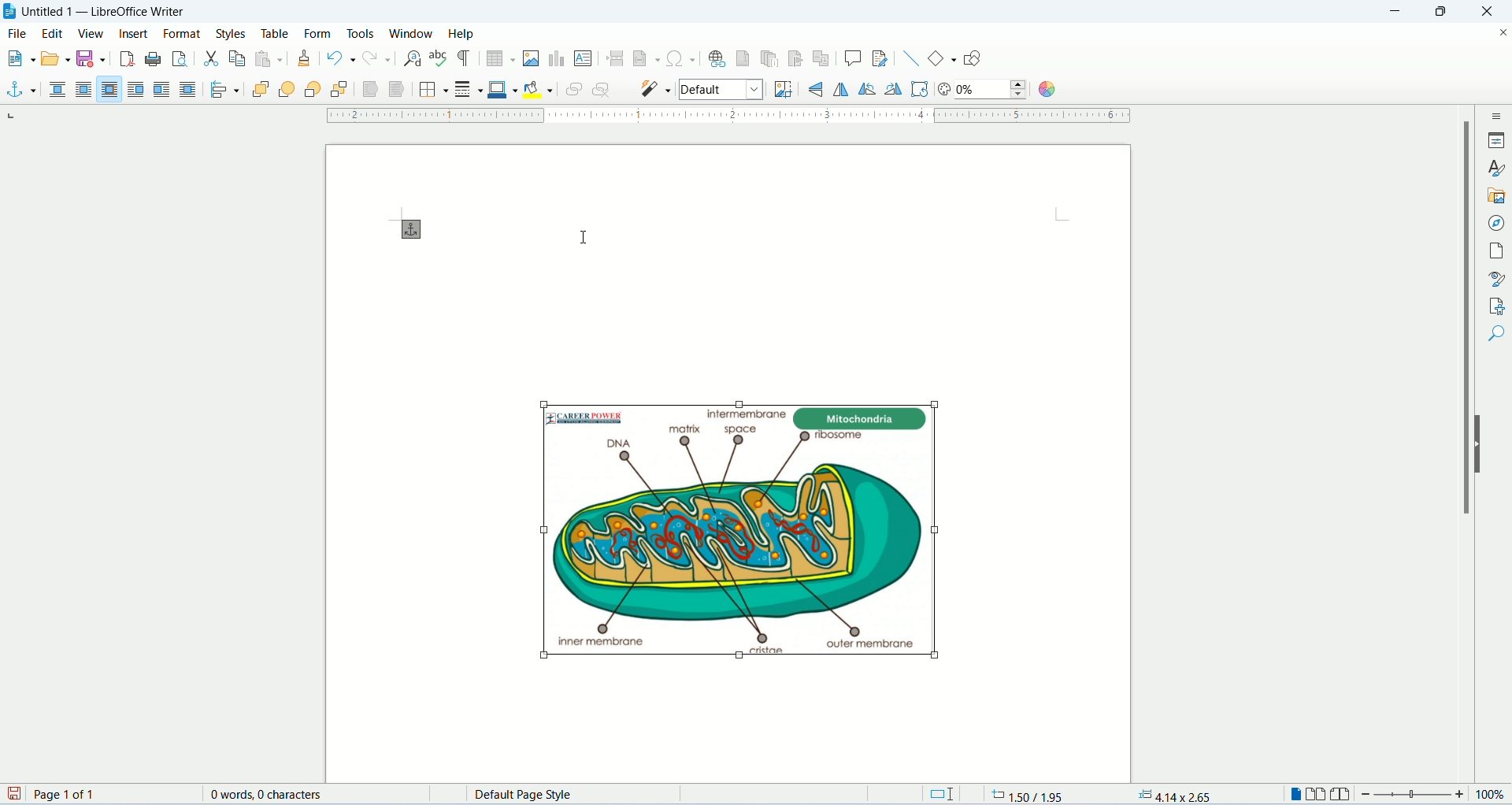 The width and height of the screenshot is (1512, 805). Describe the element at coordinates (1498, 115) in the screenshot. I see `sidebar settings` at that location.